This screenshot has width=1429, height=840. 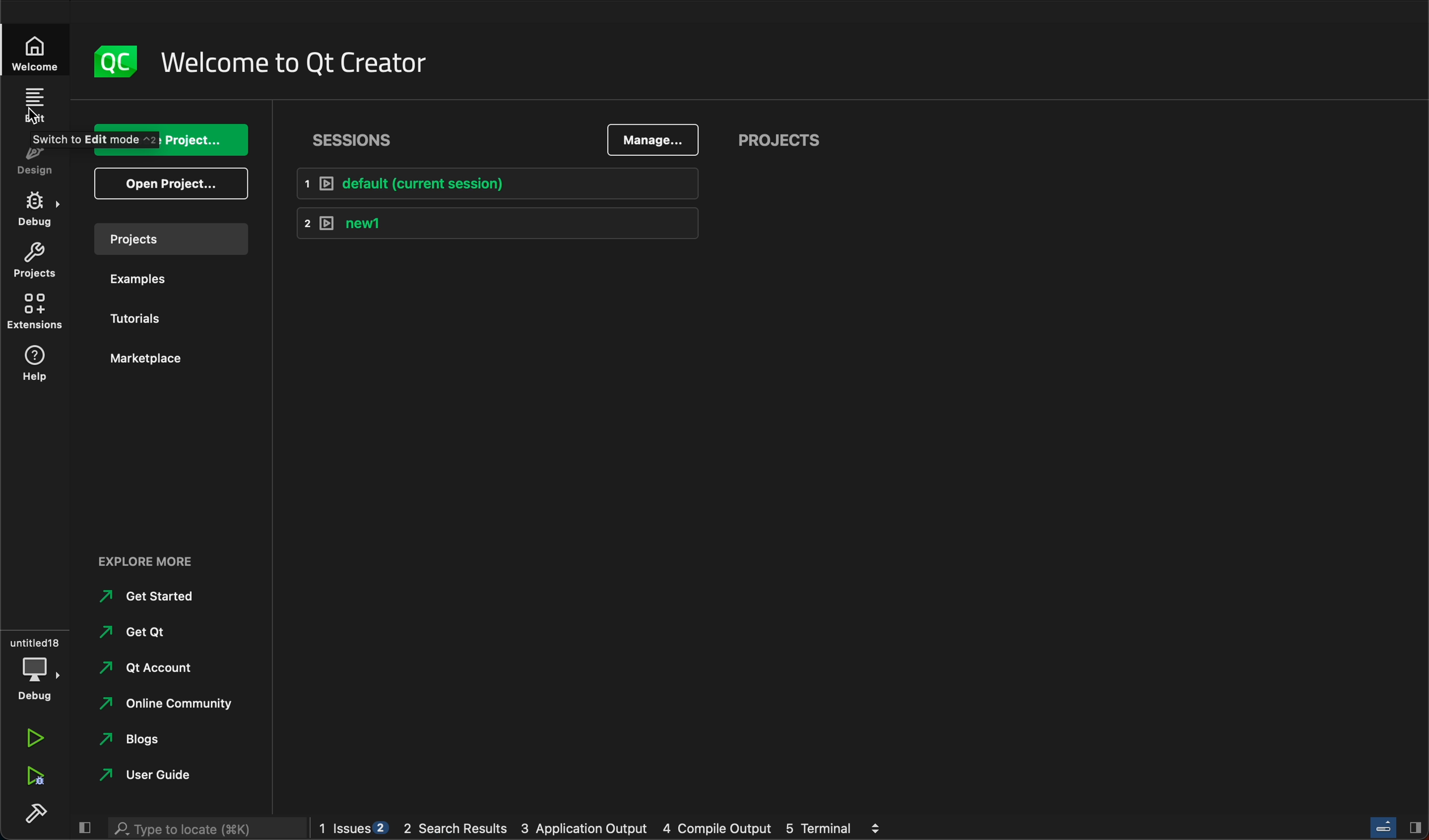 What do you see at coordinates (139, 738) in the screenshot?
I see `Blogs` at bounding box center [139, 738].